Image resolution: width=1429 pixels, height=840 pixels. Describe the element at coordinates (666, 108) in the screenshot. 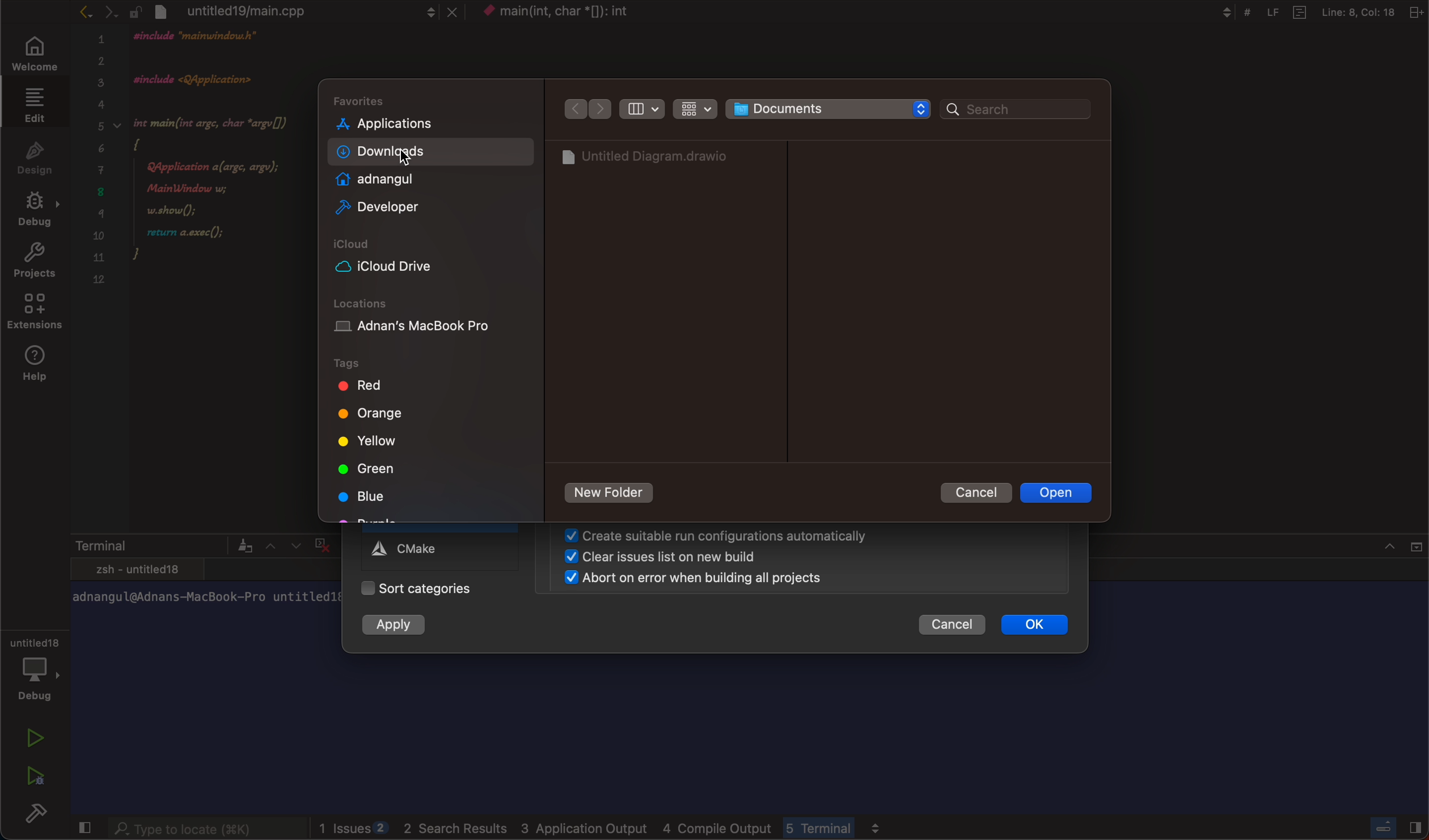

I see `filters` at that location.